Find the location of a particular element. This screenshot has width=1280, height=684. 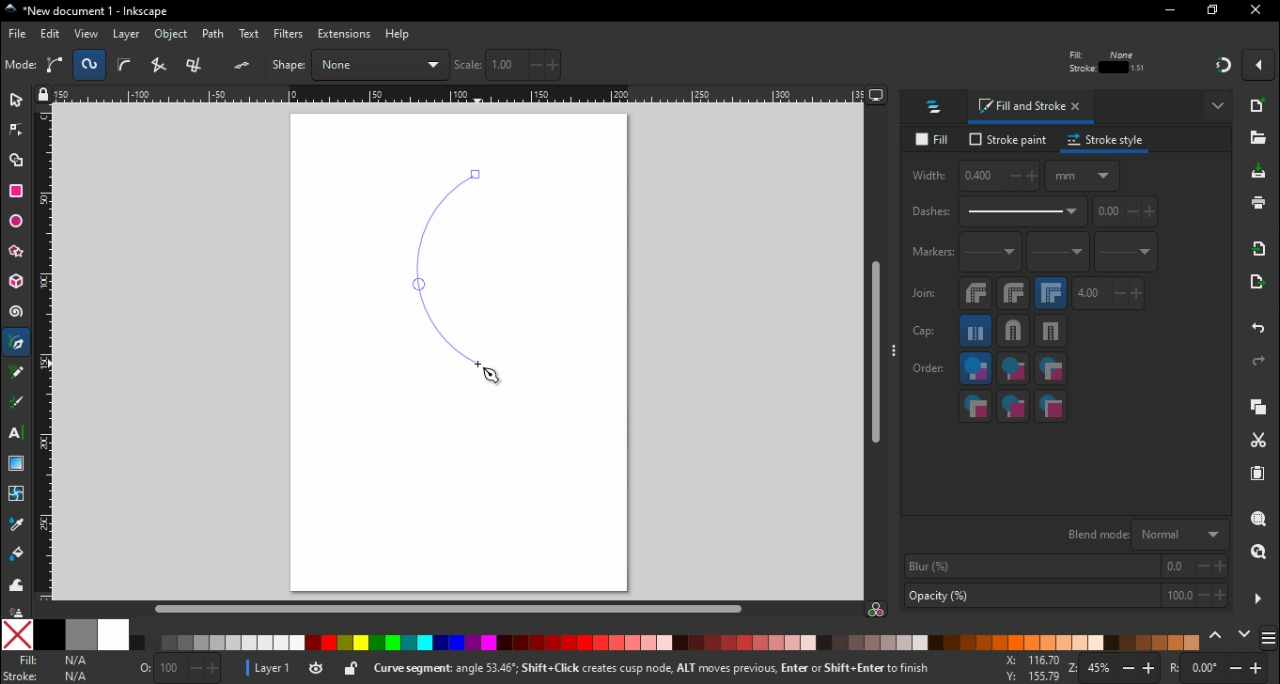

scale is located at coordinates (510, 65).